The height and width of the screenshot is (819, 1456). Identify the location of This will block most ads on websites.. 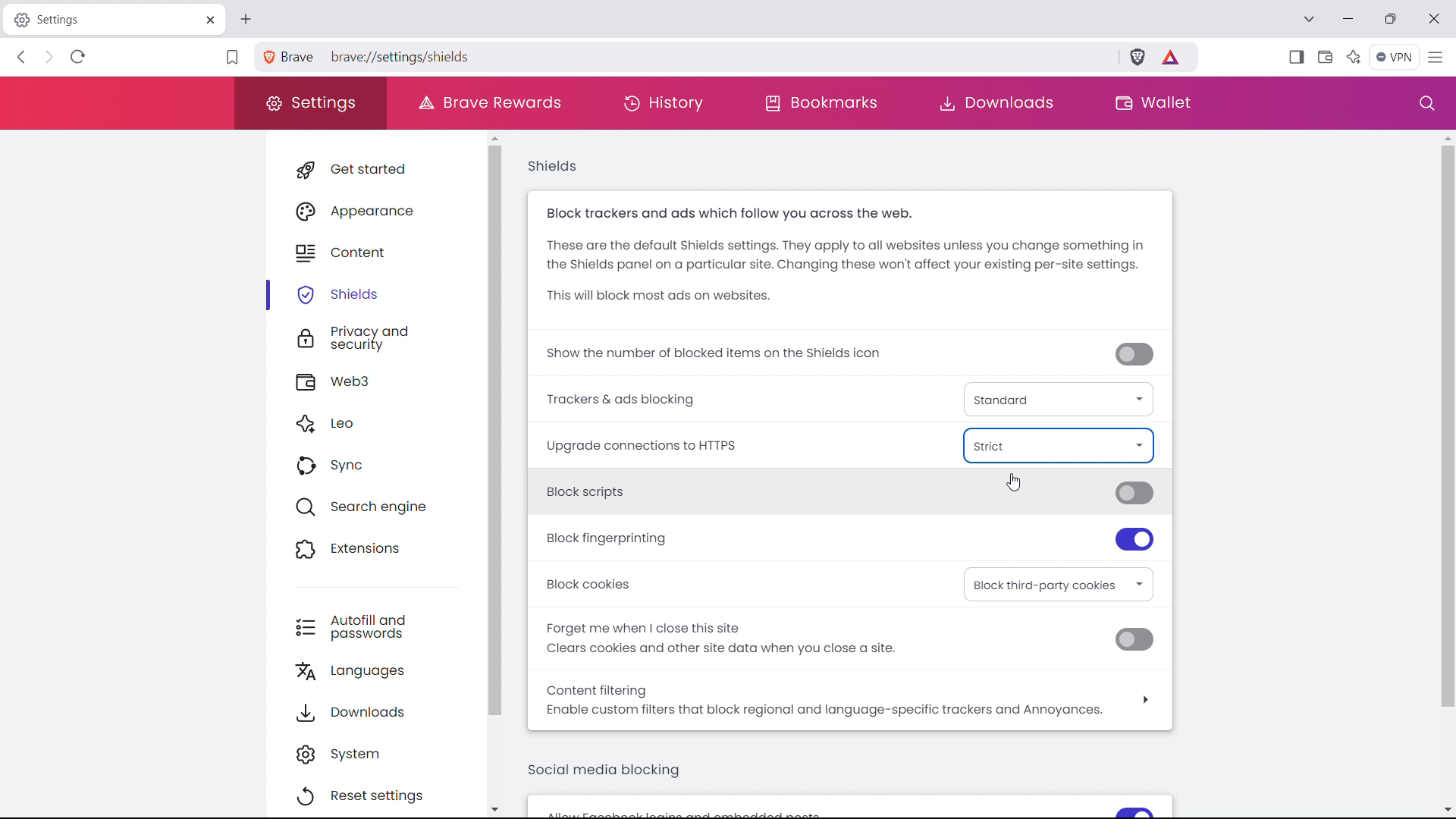
(657, 297).